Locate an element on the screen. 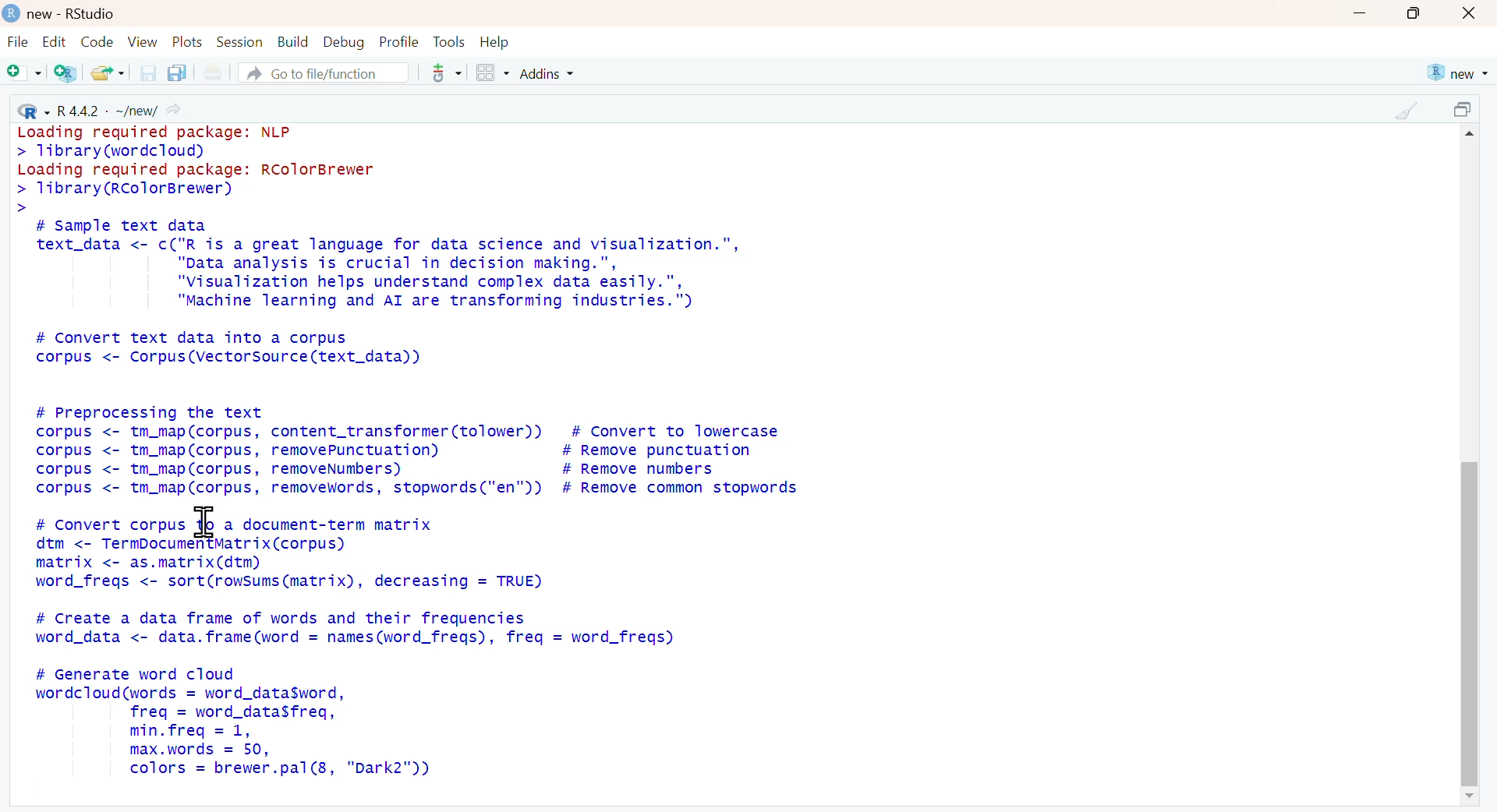 The image size is (1497, 812). # Create a data frame of words and their frequencies
word_data <- data.frame(word = names(word_freqs), freq = word_freqgs) is located at coordinates (357, 627).